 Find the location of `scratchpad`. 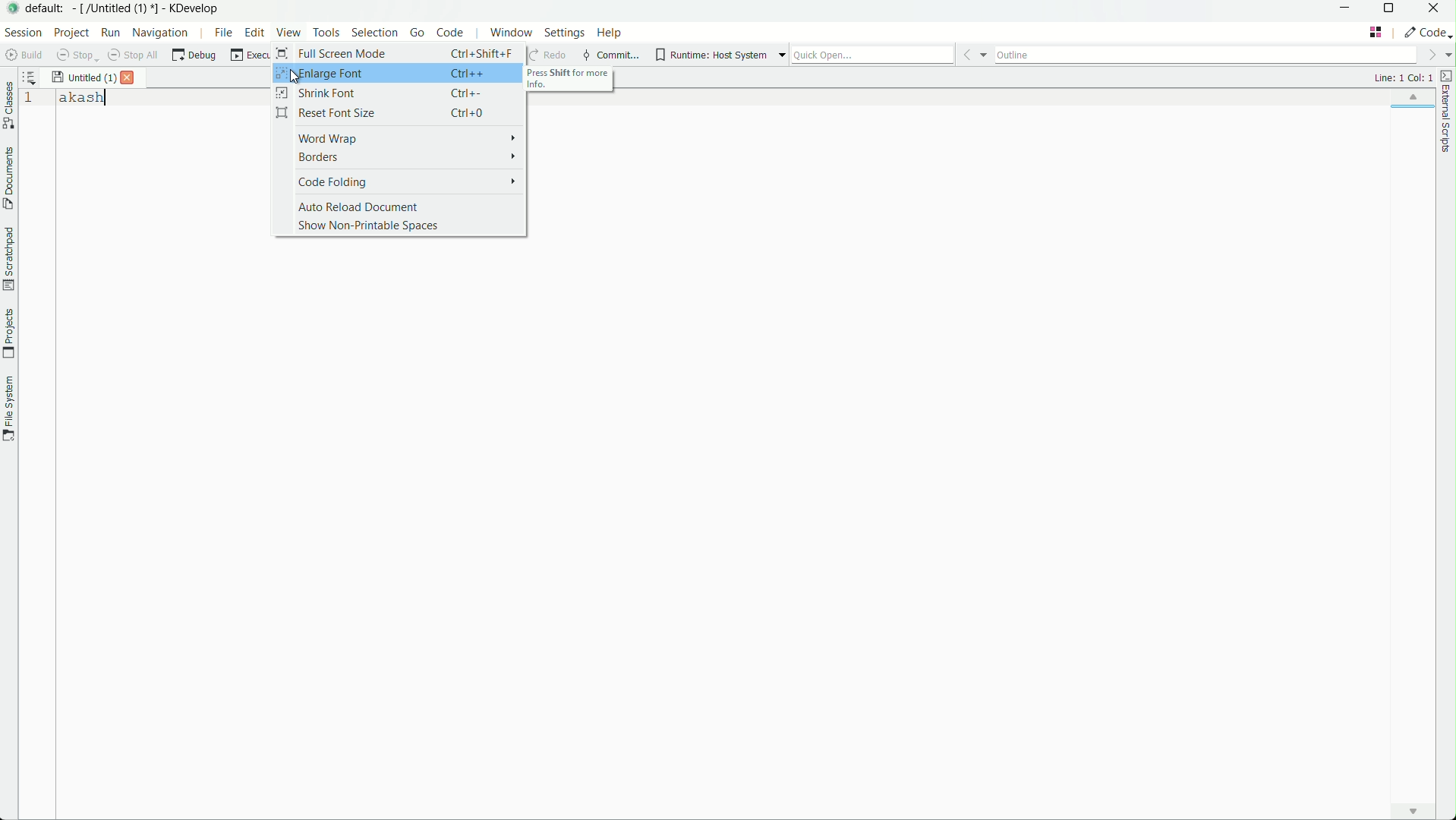

scratchpad is located at coordinates (9, 257).